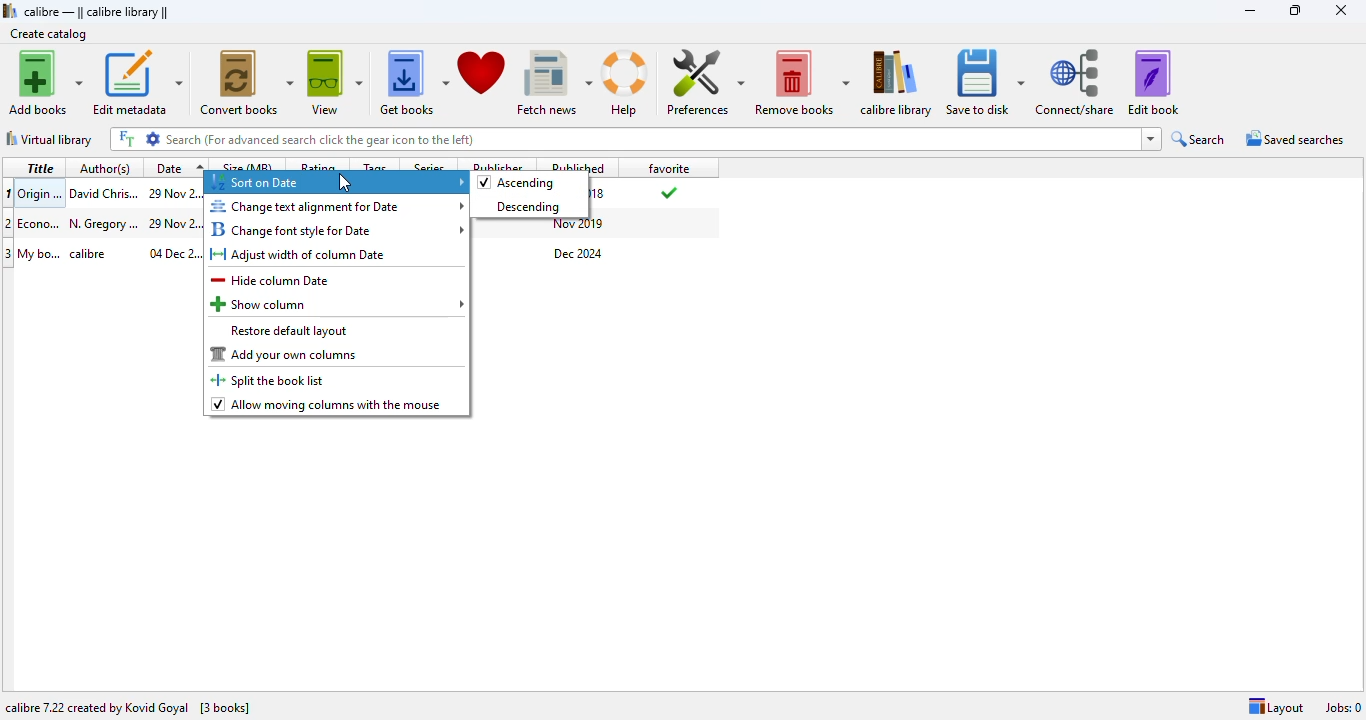 The image size is (1366, 720). What do you see at coordinates (482, 74) in the screenshot?
I see `donate to support calibre` at bounding box center [482, 74].